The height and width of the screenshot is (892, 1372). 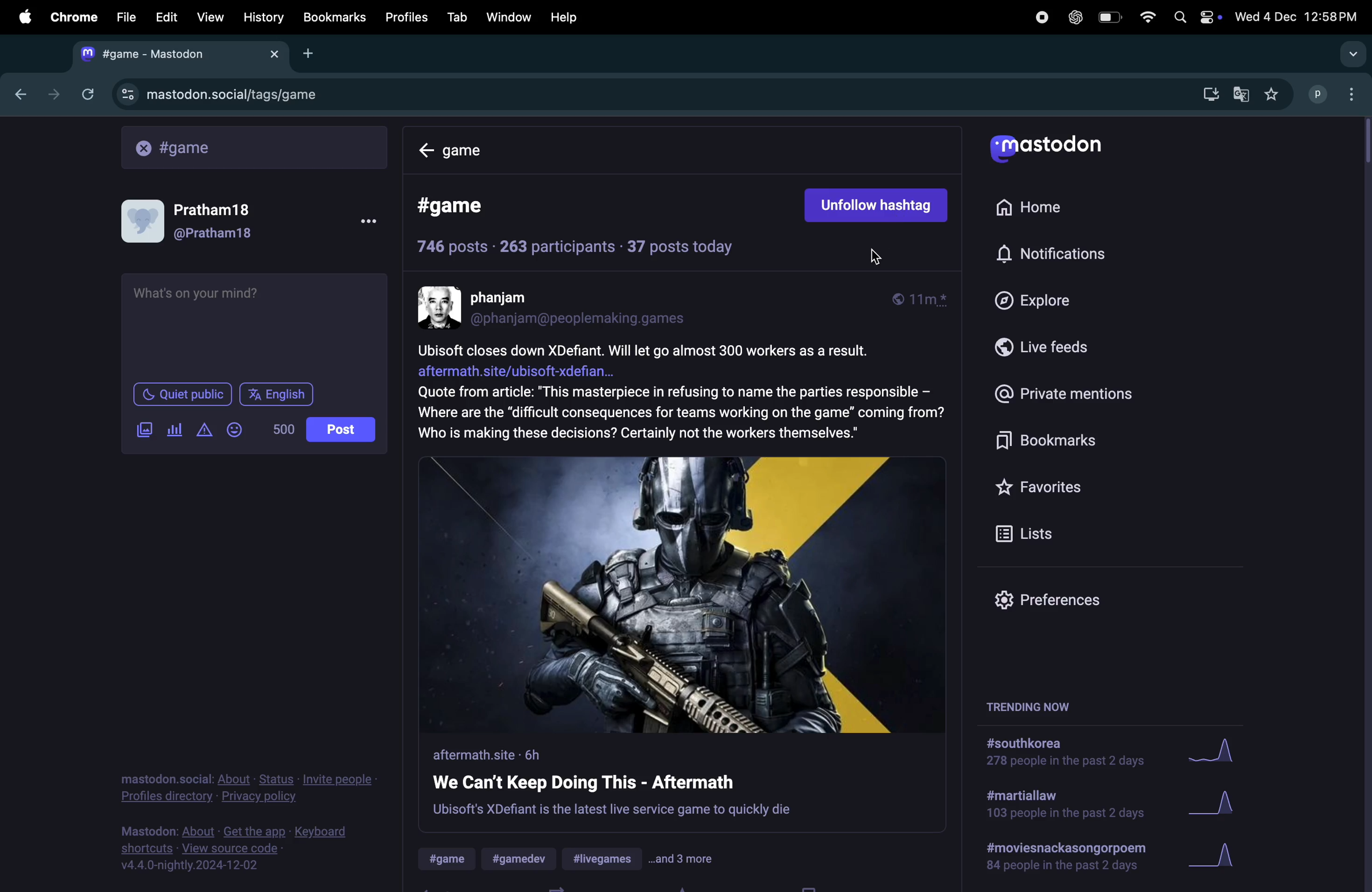 I want to click on post decription, so click(x=681, y=394).